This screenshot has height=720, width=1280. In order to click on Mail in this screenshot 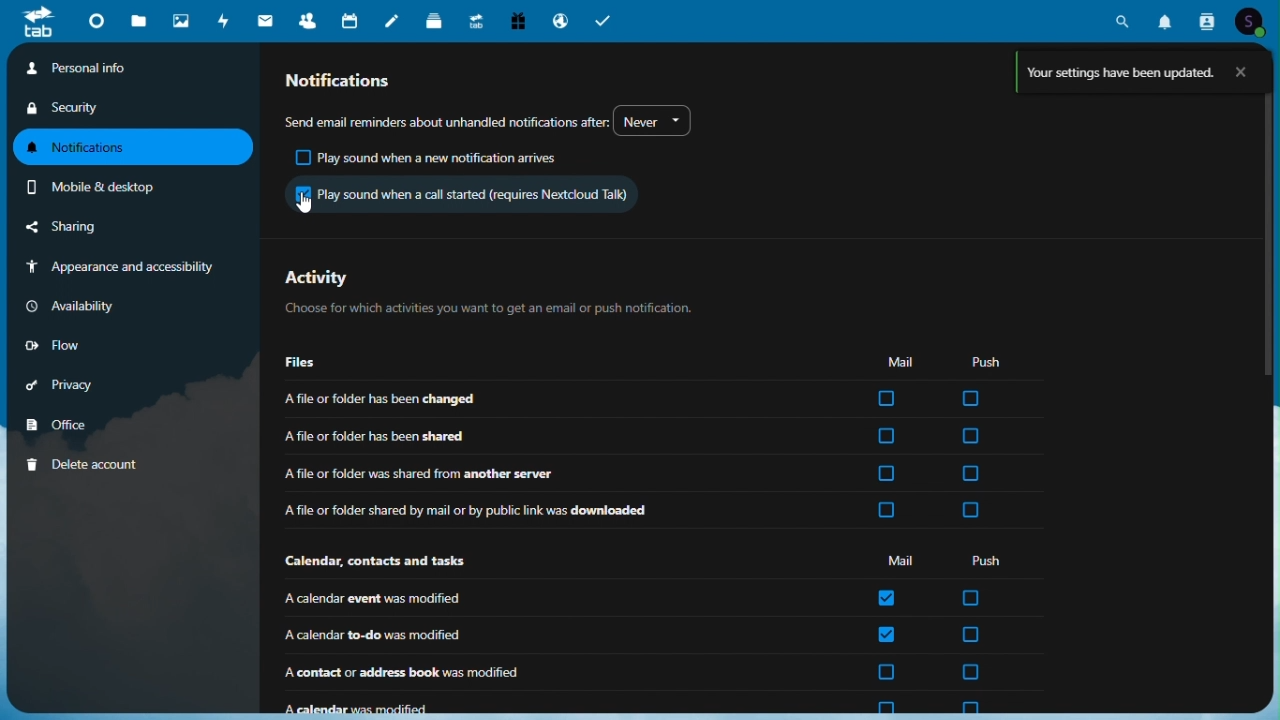, I will do `click(901, 361)`.